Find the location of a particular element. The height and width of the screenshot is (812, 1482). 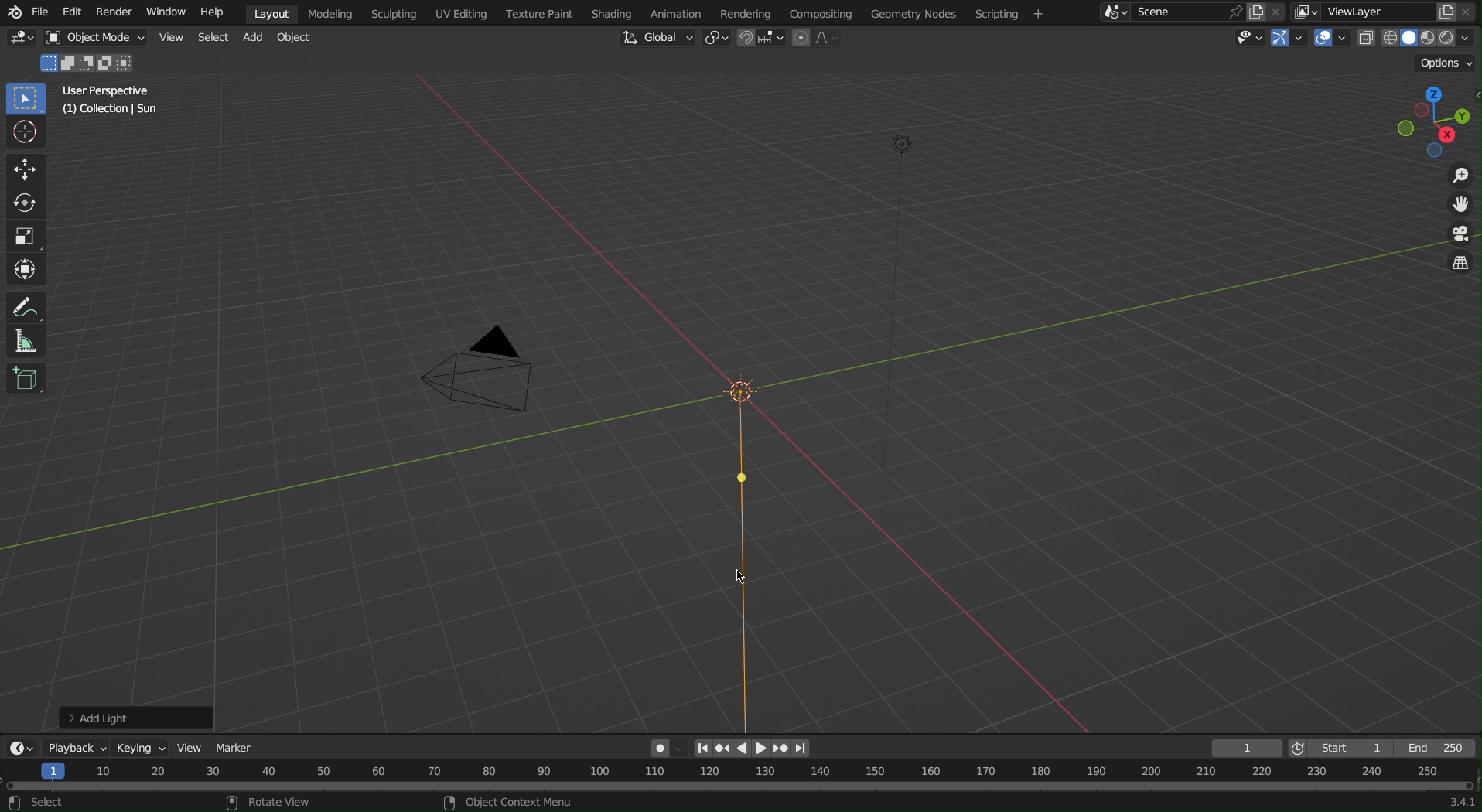

reverse is located at coordinates (722, 749).